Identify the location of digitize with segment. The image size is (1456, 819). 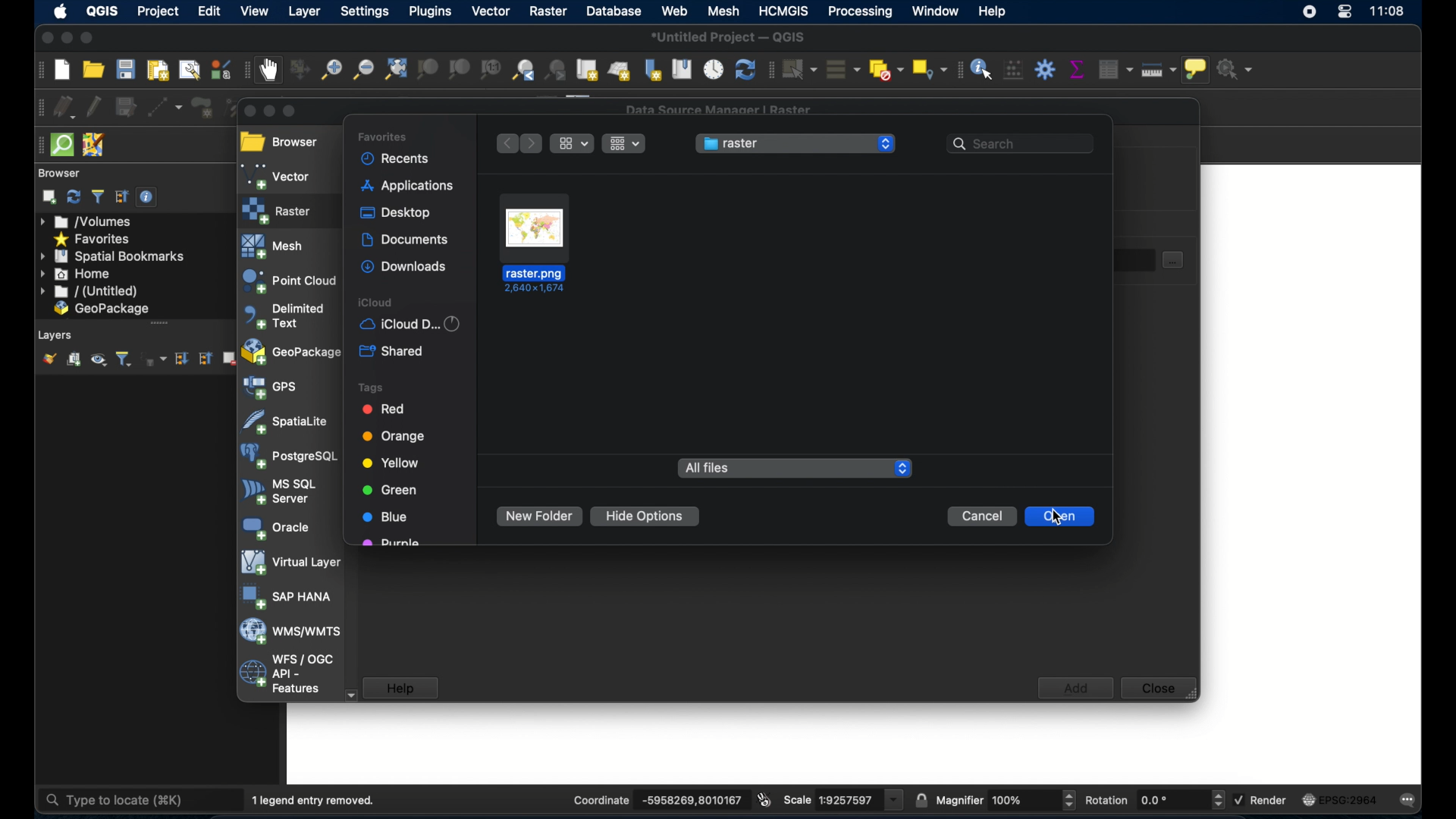
(165, 107).